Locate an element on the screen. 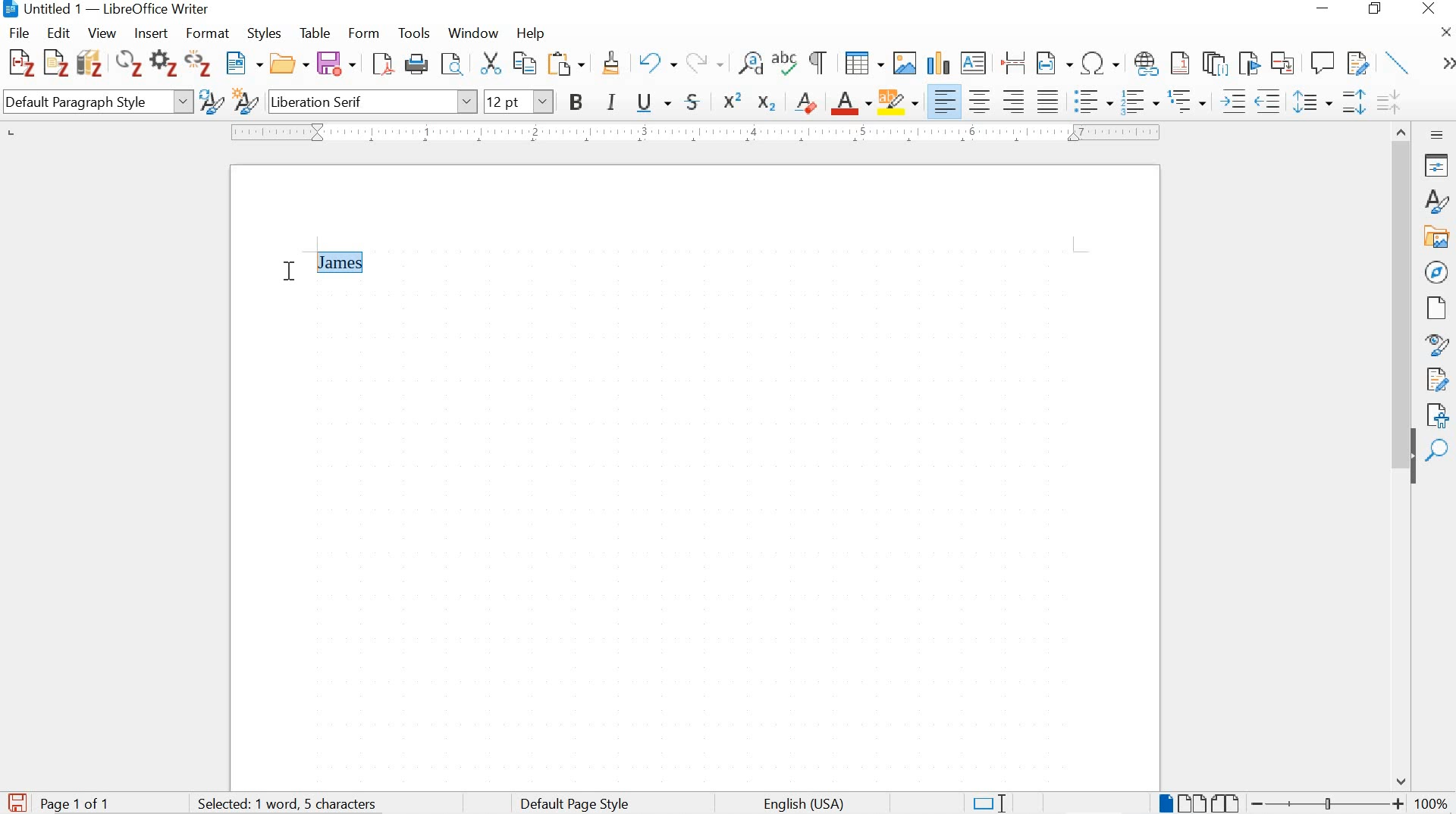  align left is located at coordinates (946, 102).